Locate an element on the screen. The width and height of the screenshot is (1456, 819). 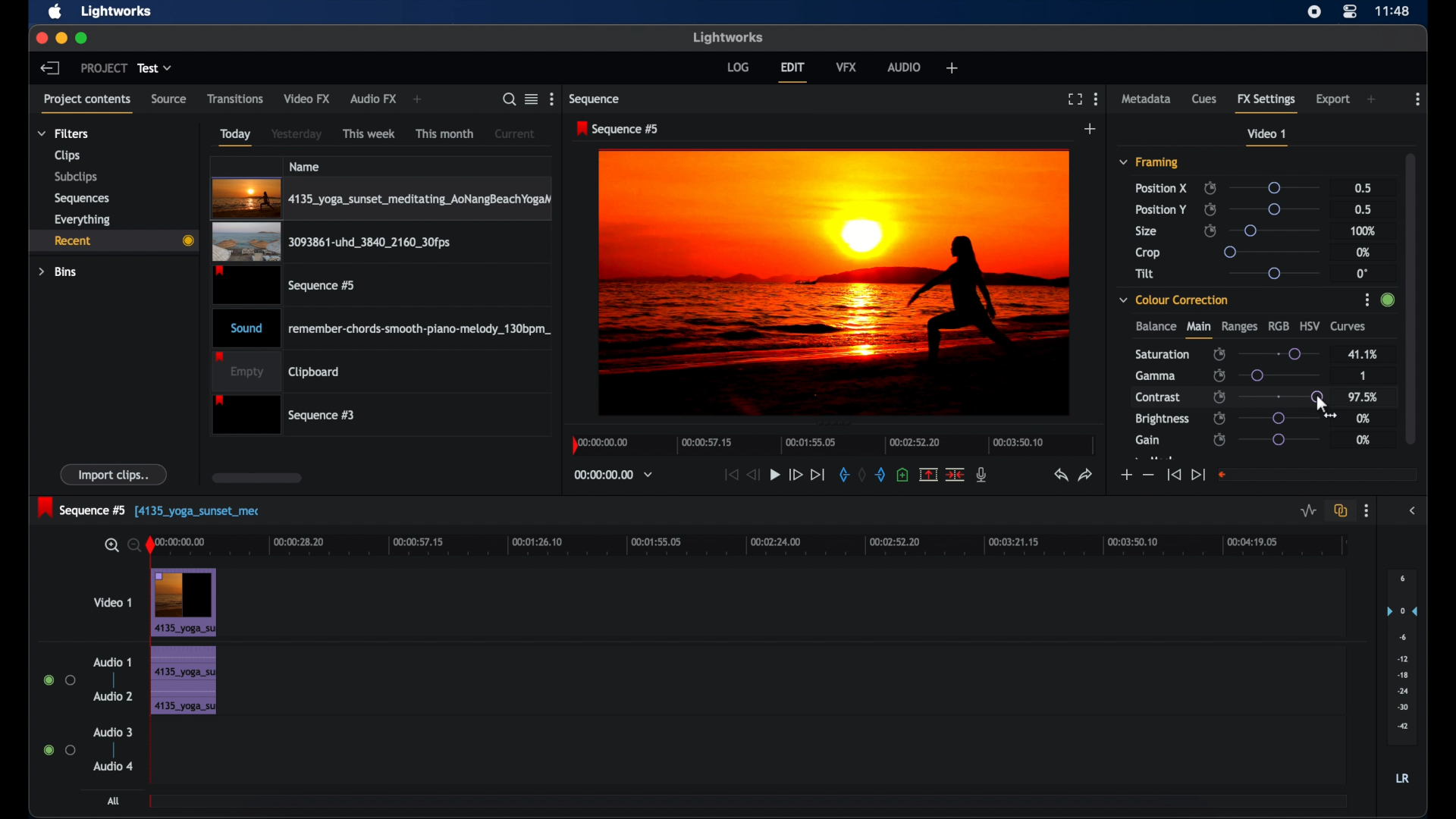
jump to end is located at coordinates (818, 474).